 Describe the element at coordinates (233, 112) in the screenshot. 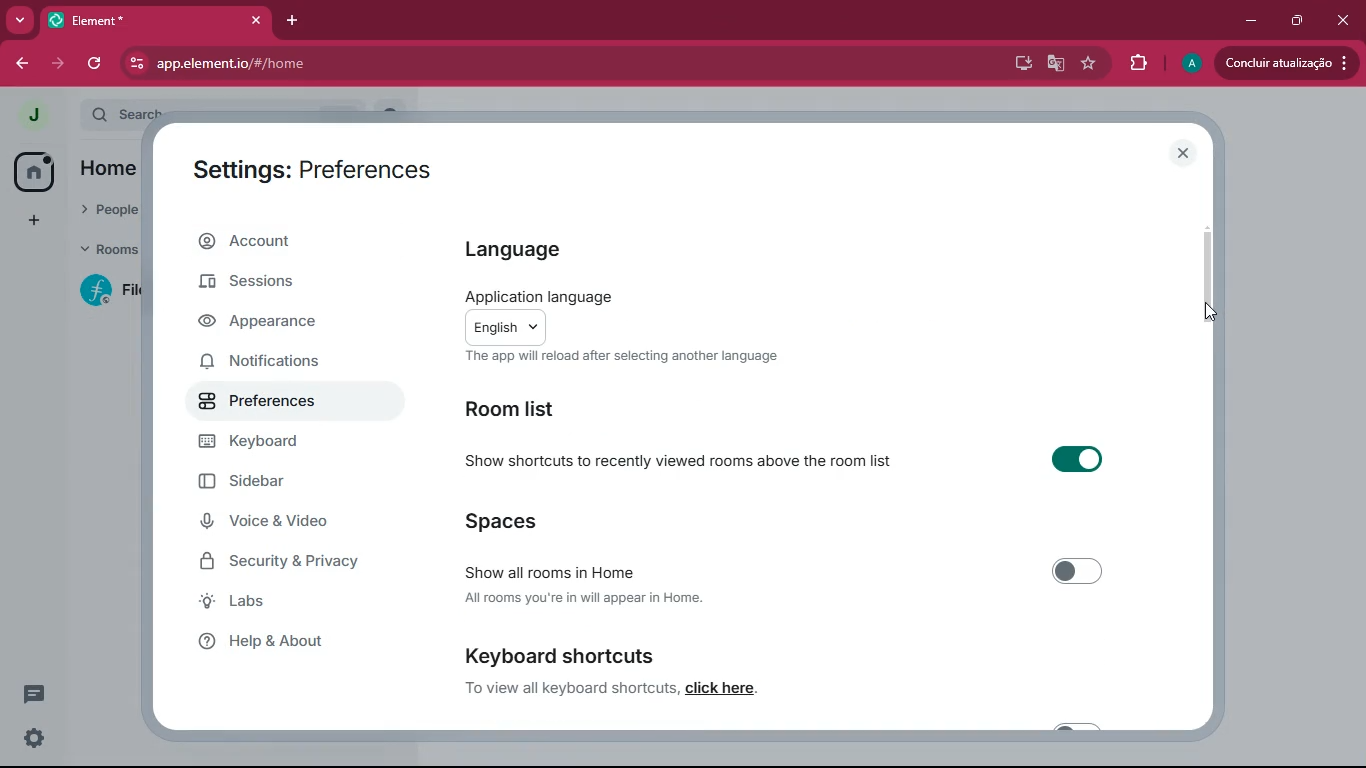

I see `search ctrl k` at that location.